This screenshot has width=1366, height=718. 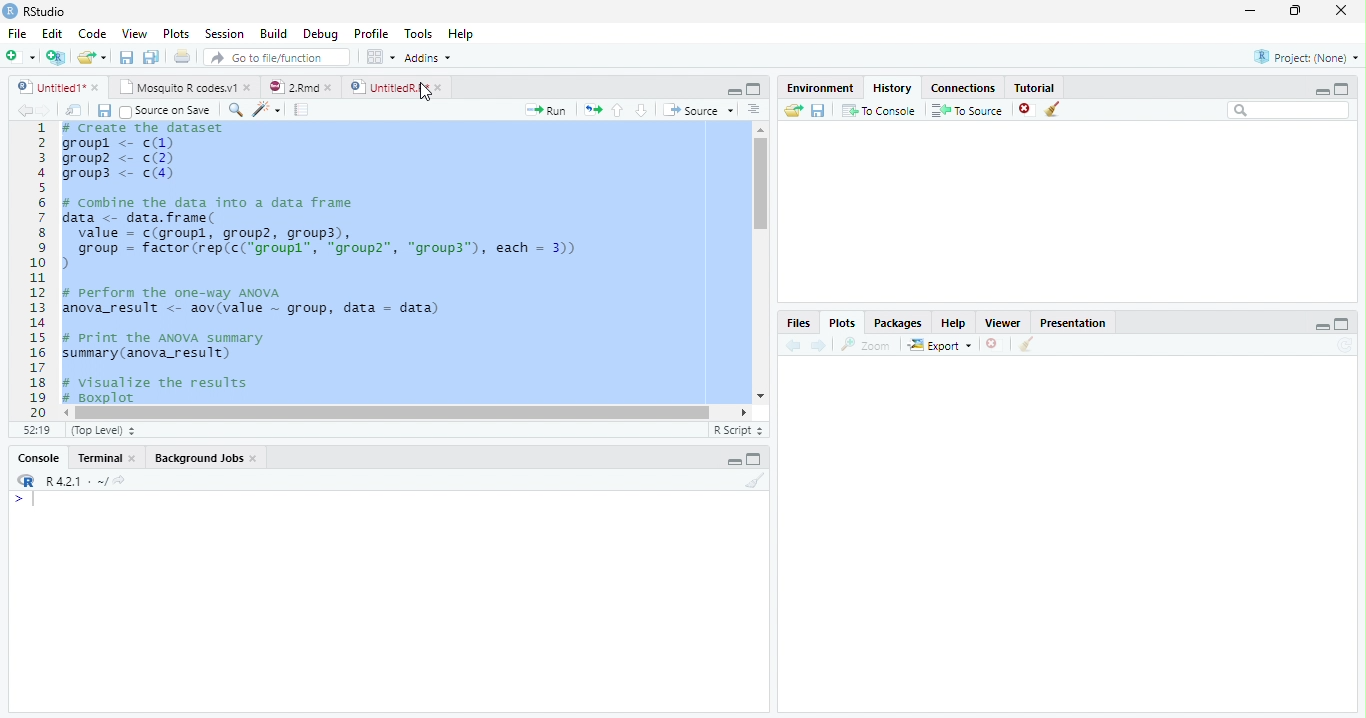 What do you see at coordinates (642, 108) in the screenshot?
I see `Go to next section ` at bounding box center [642, 108].